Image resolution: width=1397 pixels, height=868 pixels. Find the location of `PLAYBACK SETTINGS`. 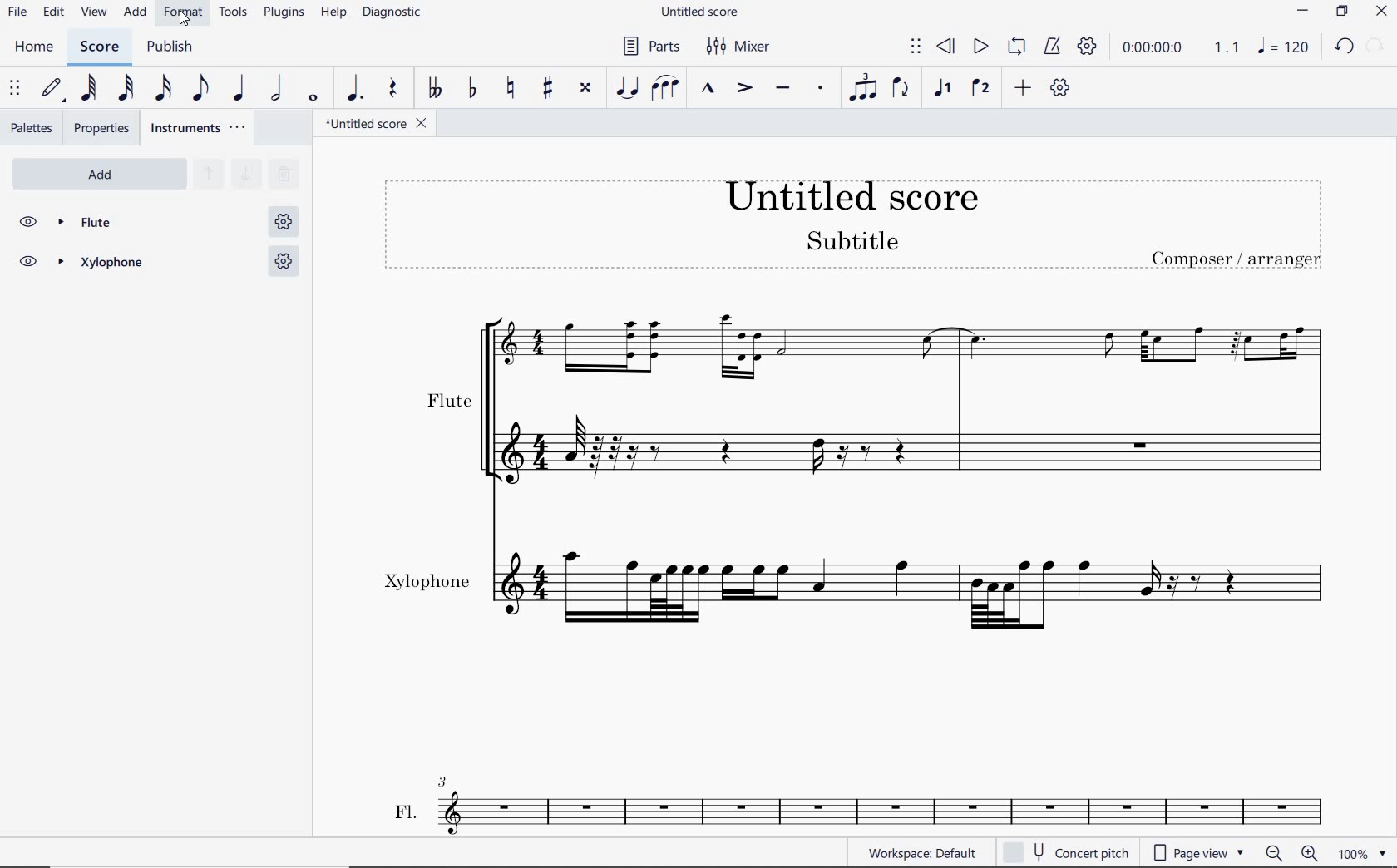

PLAYBACK SETTINGS is located at coordinates (1087, 47).